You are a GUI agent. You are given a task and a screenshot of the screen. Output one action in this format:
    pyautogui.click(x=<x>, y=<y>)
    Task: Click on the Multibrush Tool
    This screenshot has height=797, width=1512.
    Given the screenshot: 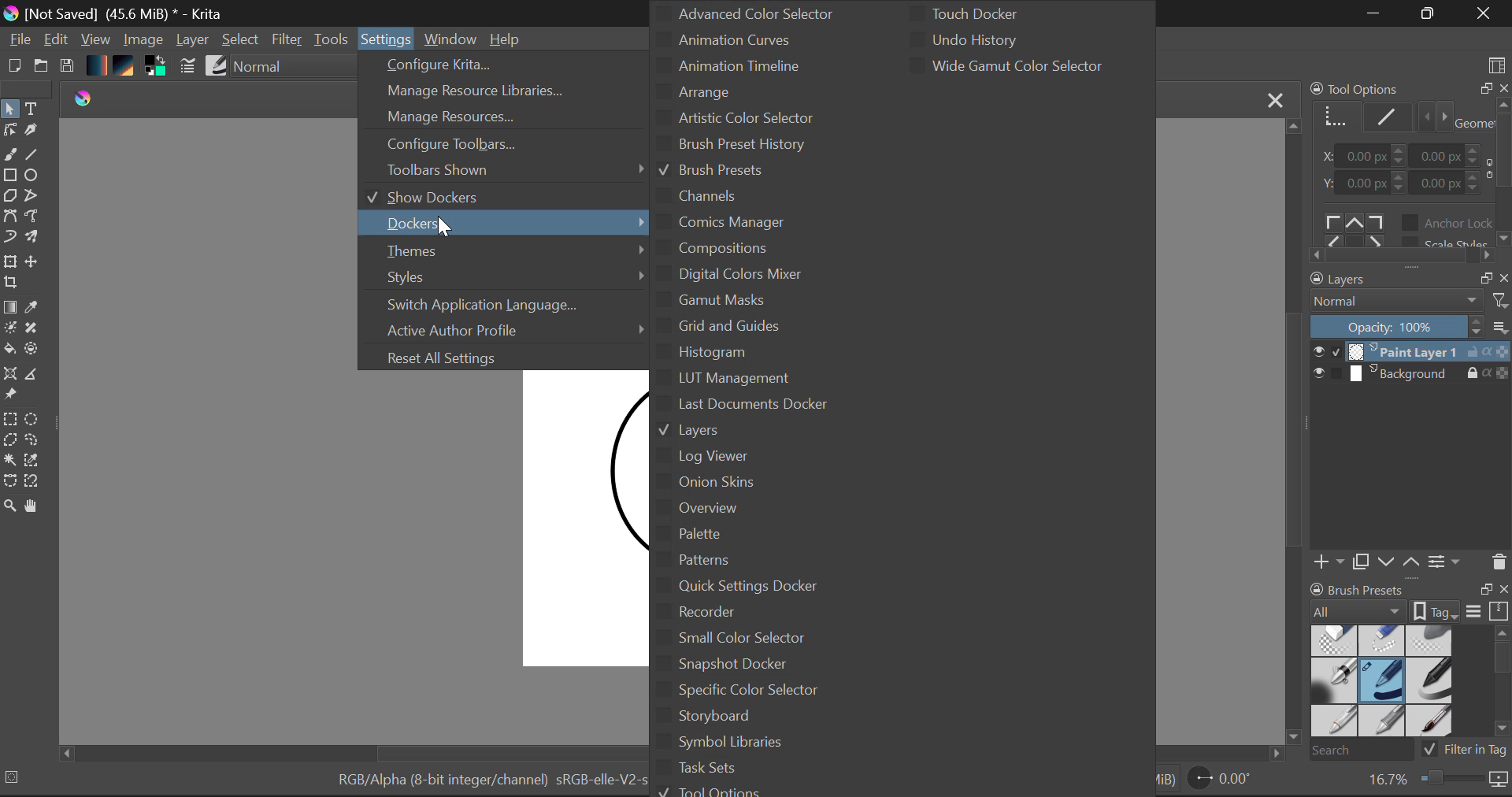 What is the action you would take?
    pyautogui.click(x=38, y=240)
    